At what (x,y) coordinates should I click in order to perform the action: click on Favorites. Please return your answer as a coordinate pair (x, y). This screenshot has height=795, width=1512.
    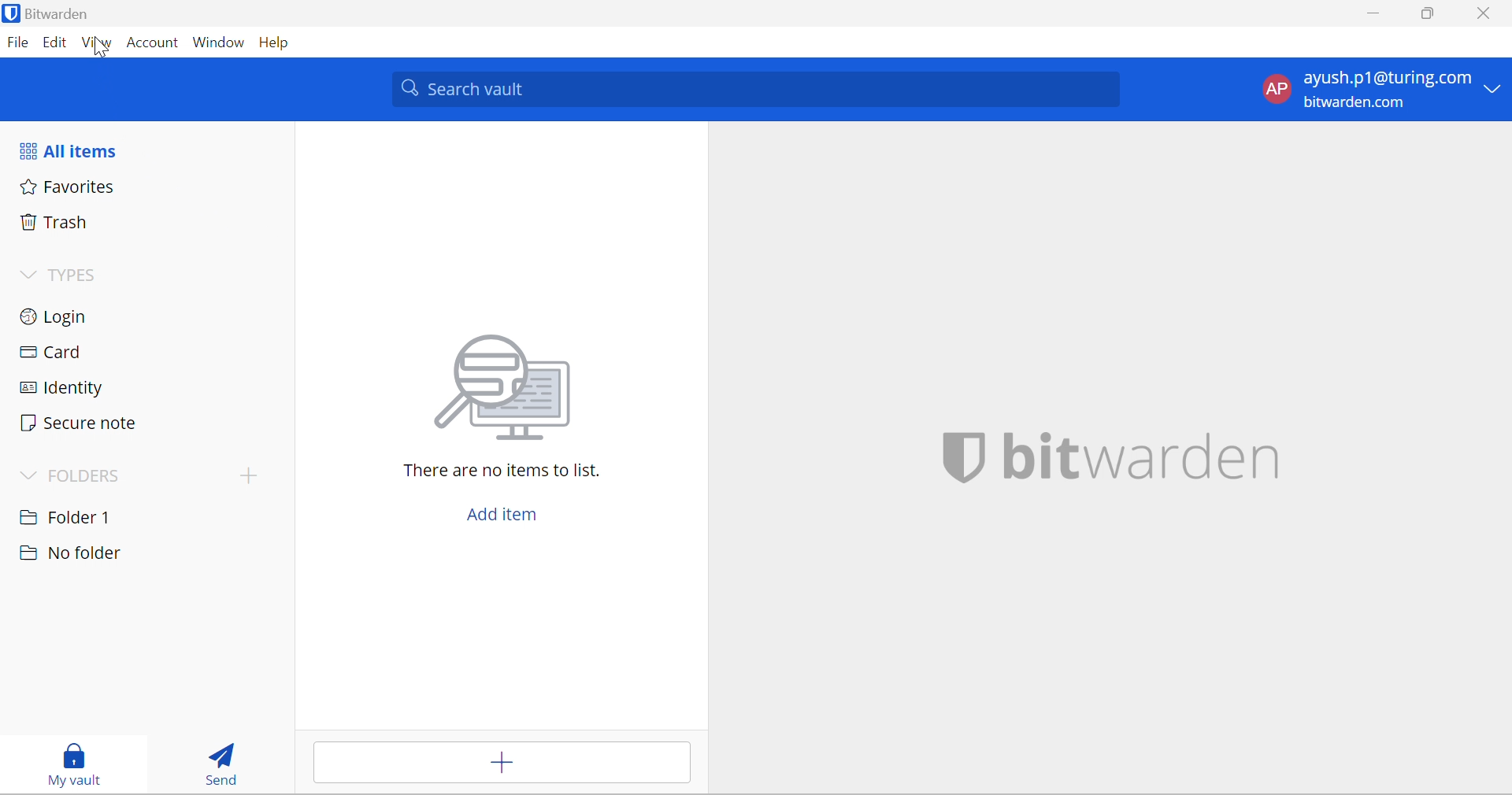
    Looking at the image, I should click on (69, 188).